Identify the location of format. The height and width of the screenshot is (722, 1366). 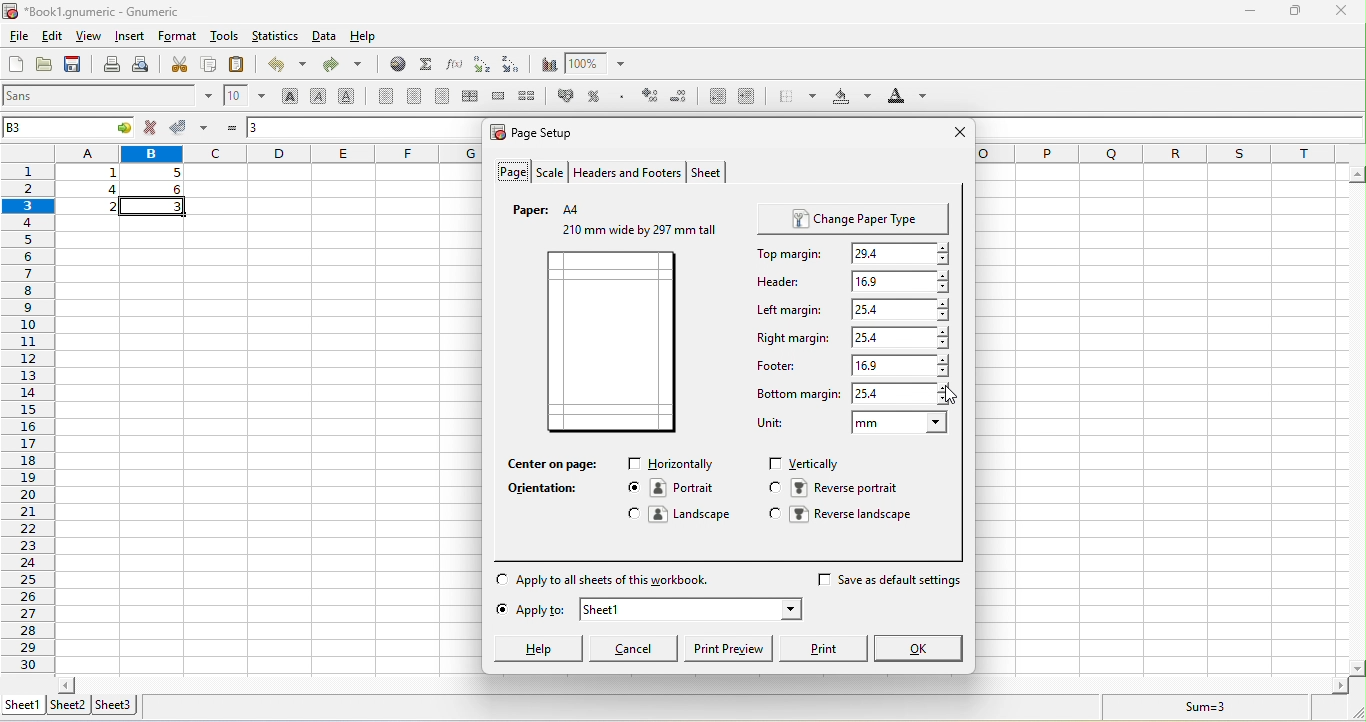
(177, 38).